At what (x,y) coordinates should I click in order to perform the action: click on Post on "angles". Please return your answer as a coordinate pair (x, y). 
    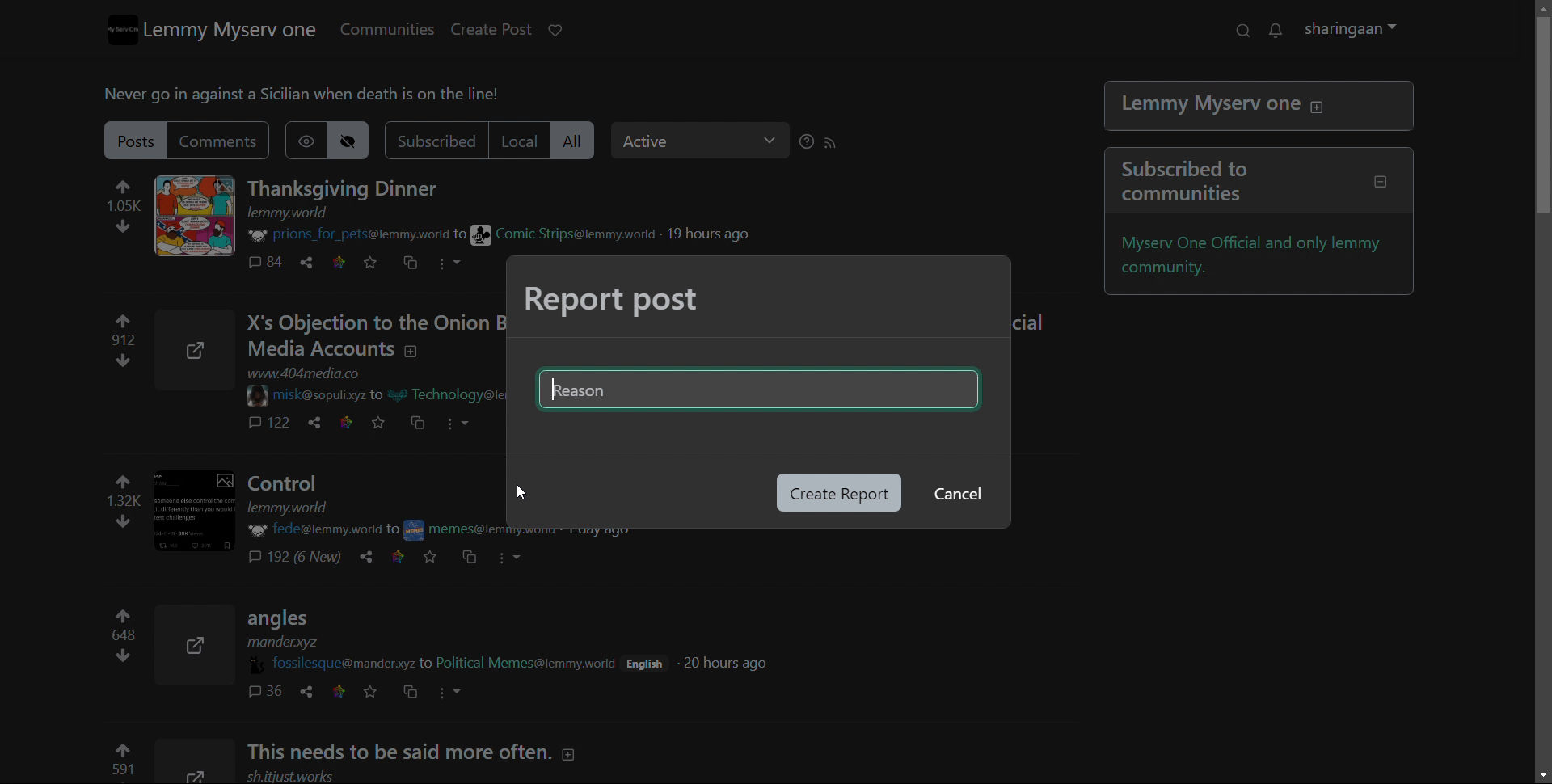
    Looking at the image, I should click on (436, 630).